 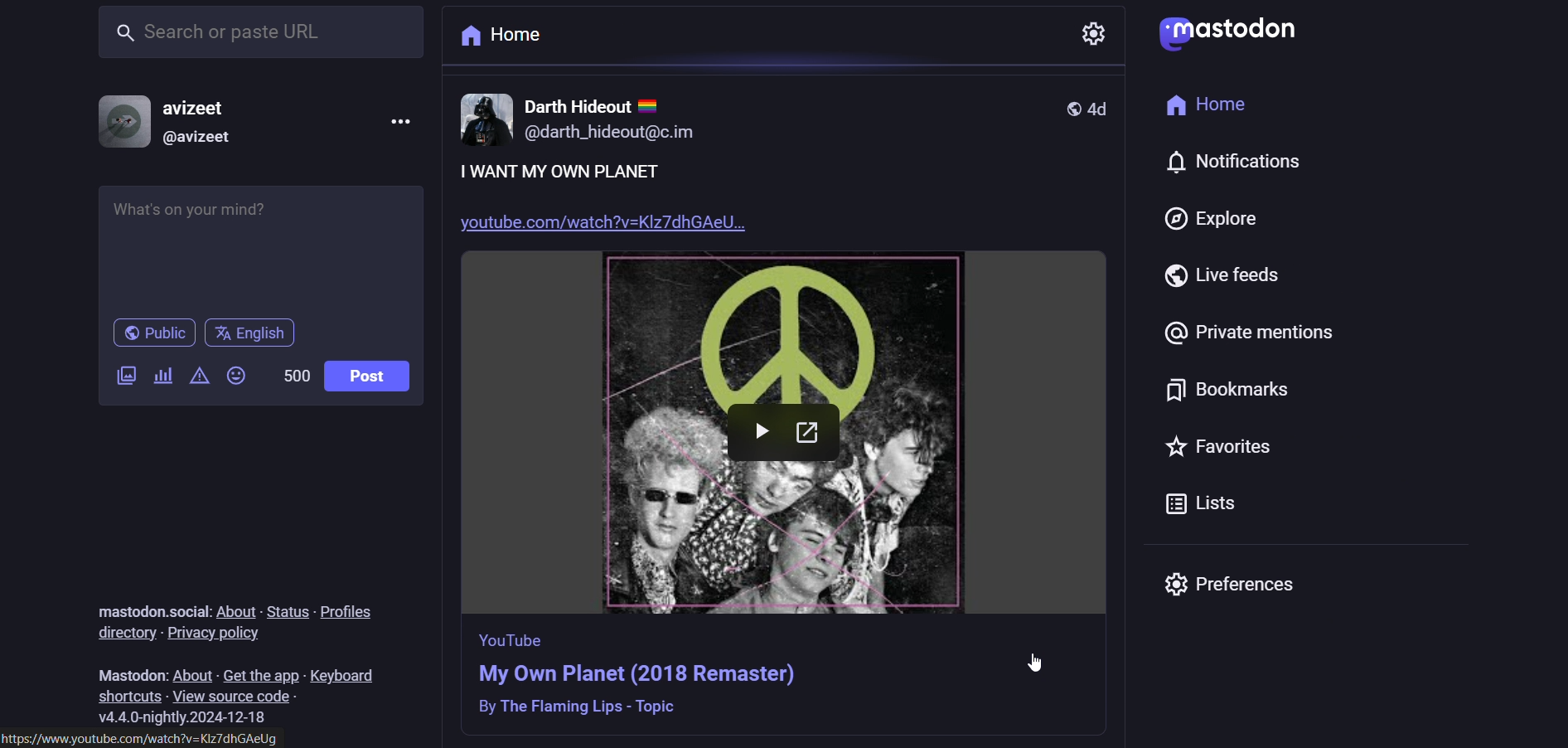 I want to click on 4d, so click(x=1086, y=108).